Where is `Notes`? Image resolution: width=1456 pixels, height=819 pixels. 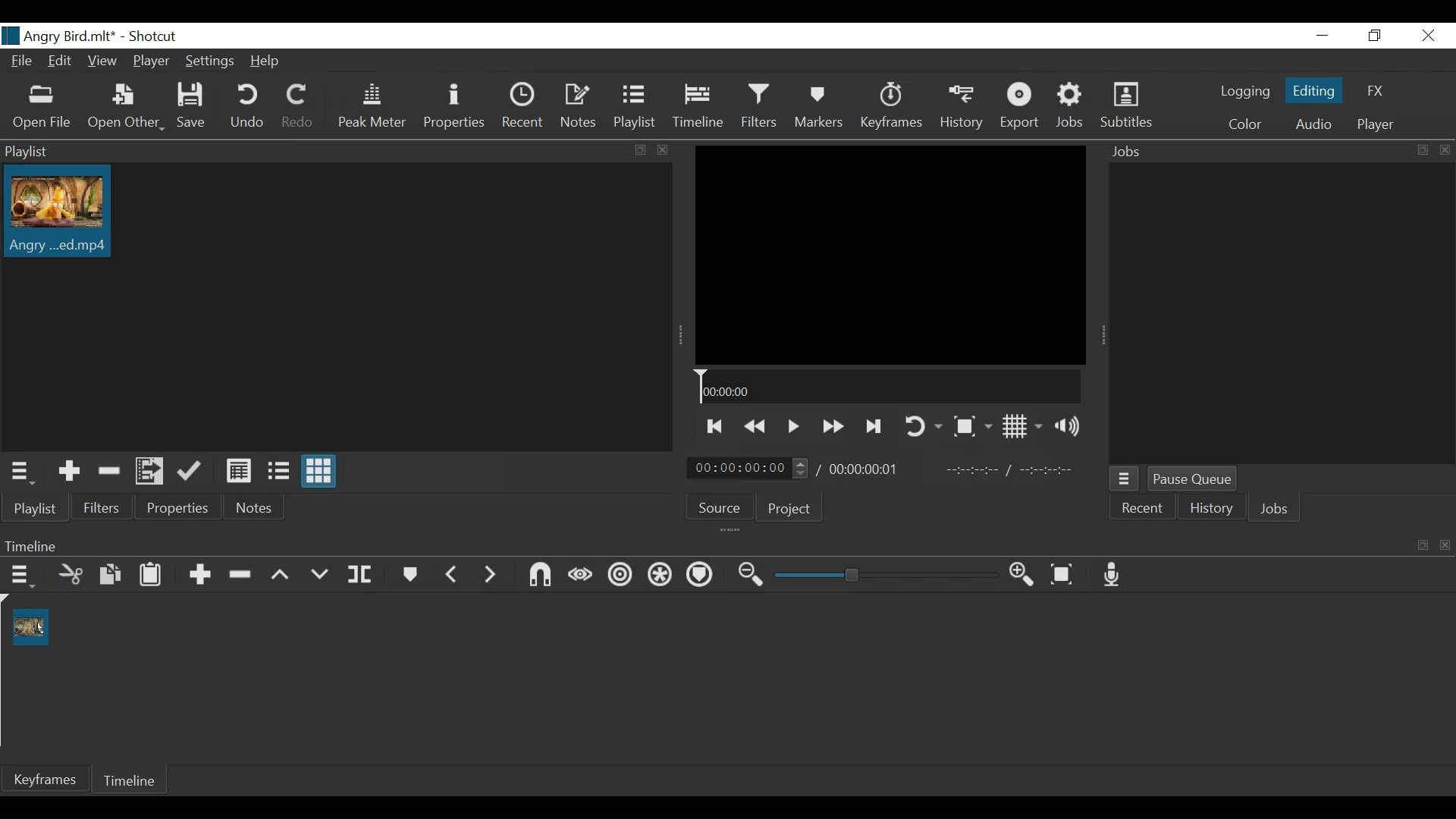
Notes is located at coordinates (256, 505).